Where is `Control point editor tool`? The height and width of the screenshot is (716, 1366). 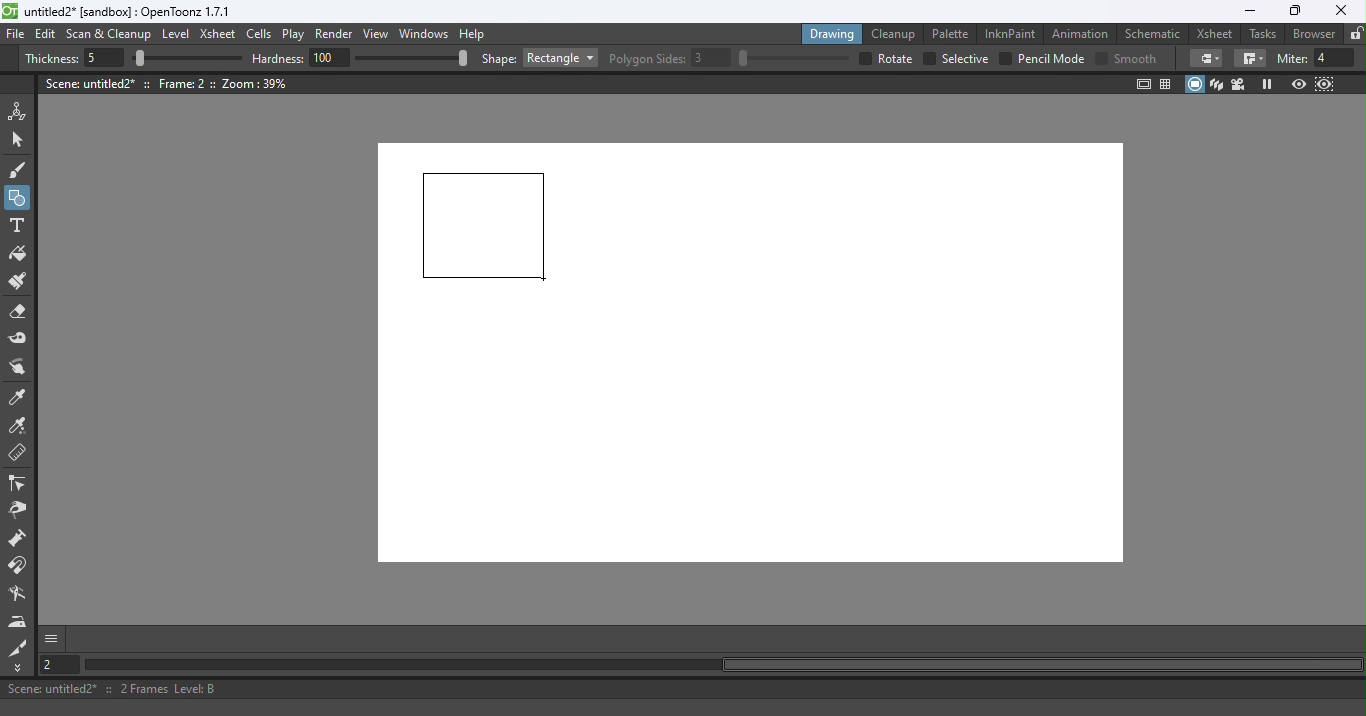
Control point editor tool is located at coordinates (18, 485).